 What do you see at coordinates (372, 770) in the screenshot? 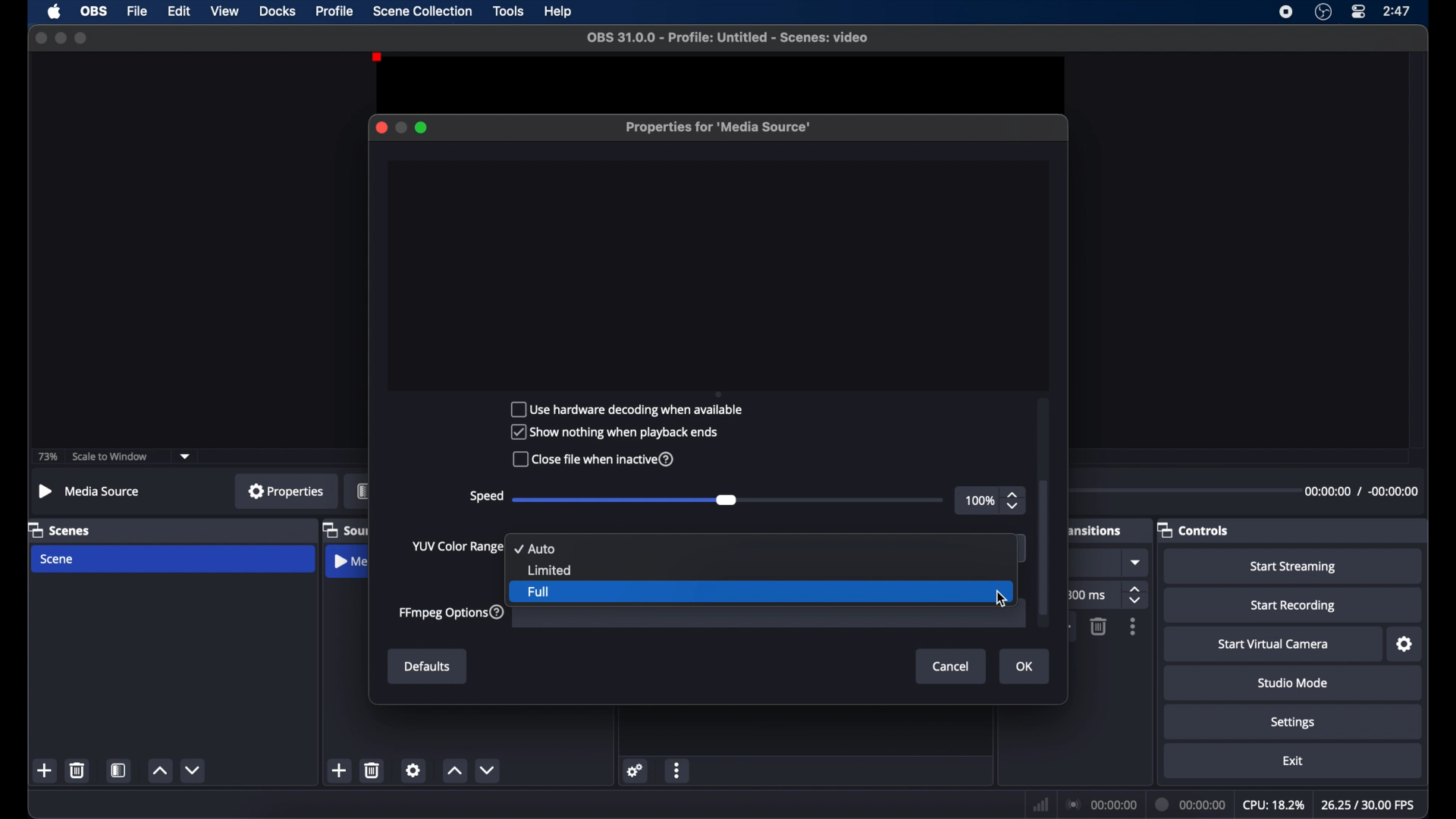
I see `delete` at bounding box center [372, 770].